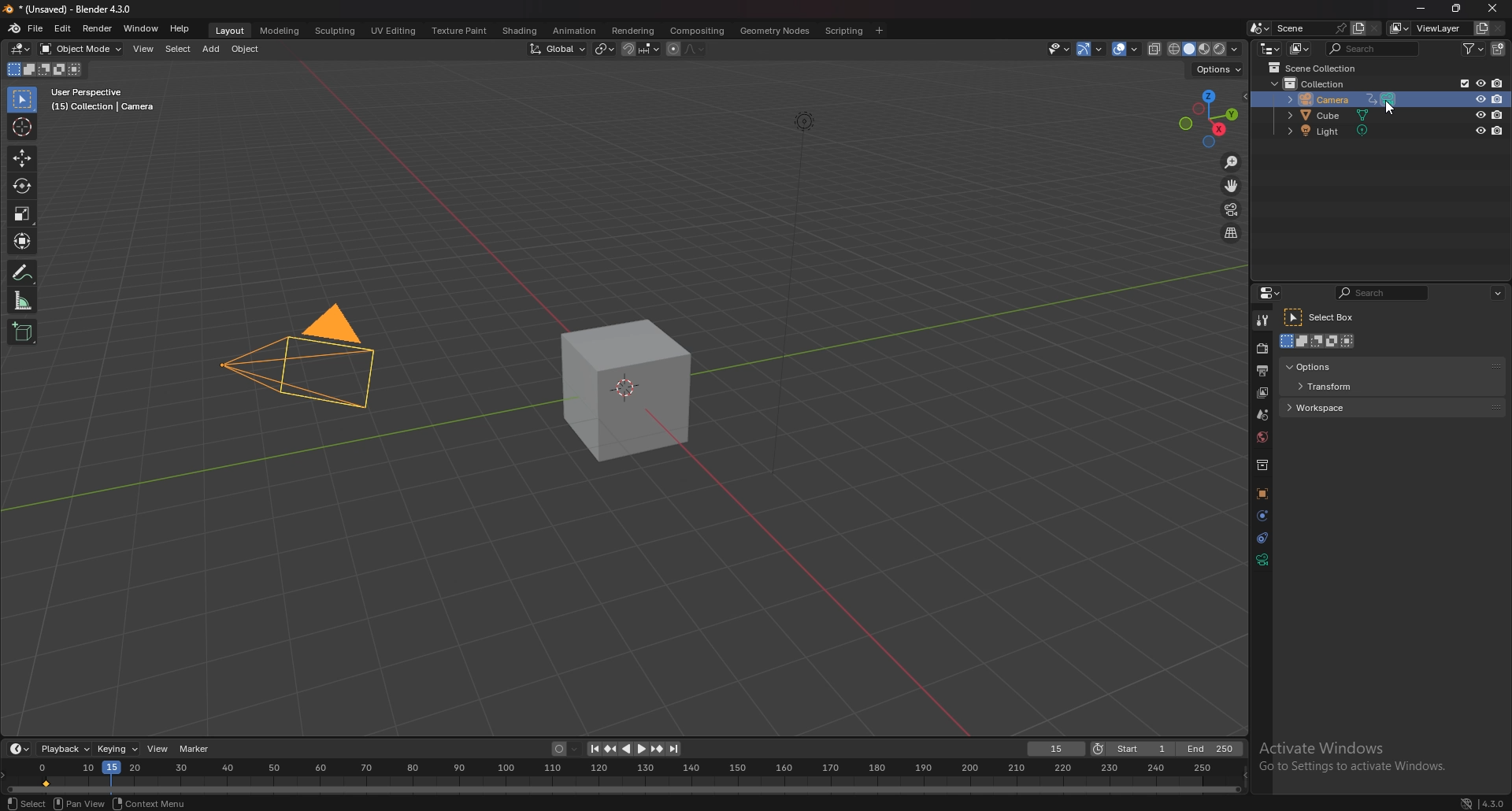 This screenshot has height=811, width=1512. Describe the element at coordinates (1458, 83) in the screenshot. I see `exclude from viewlayer` at that location.